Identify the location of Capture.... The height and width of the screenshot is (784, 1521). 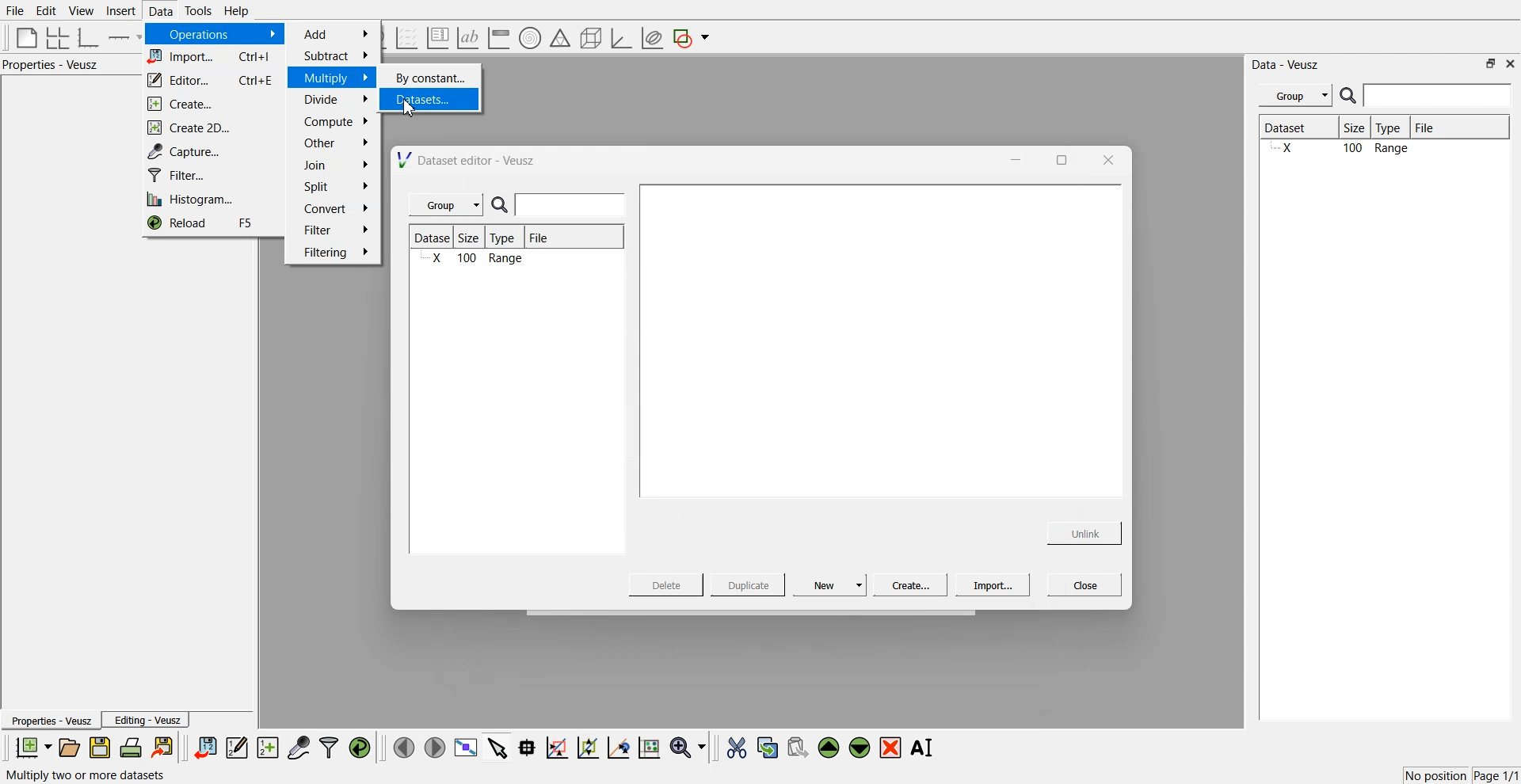
(215, 151).